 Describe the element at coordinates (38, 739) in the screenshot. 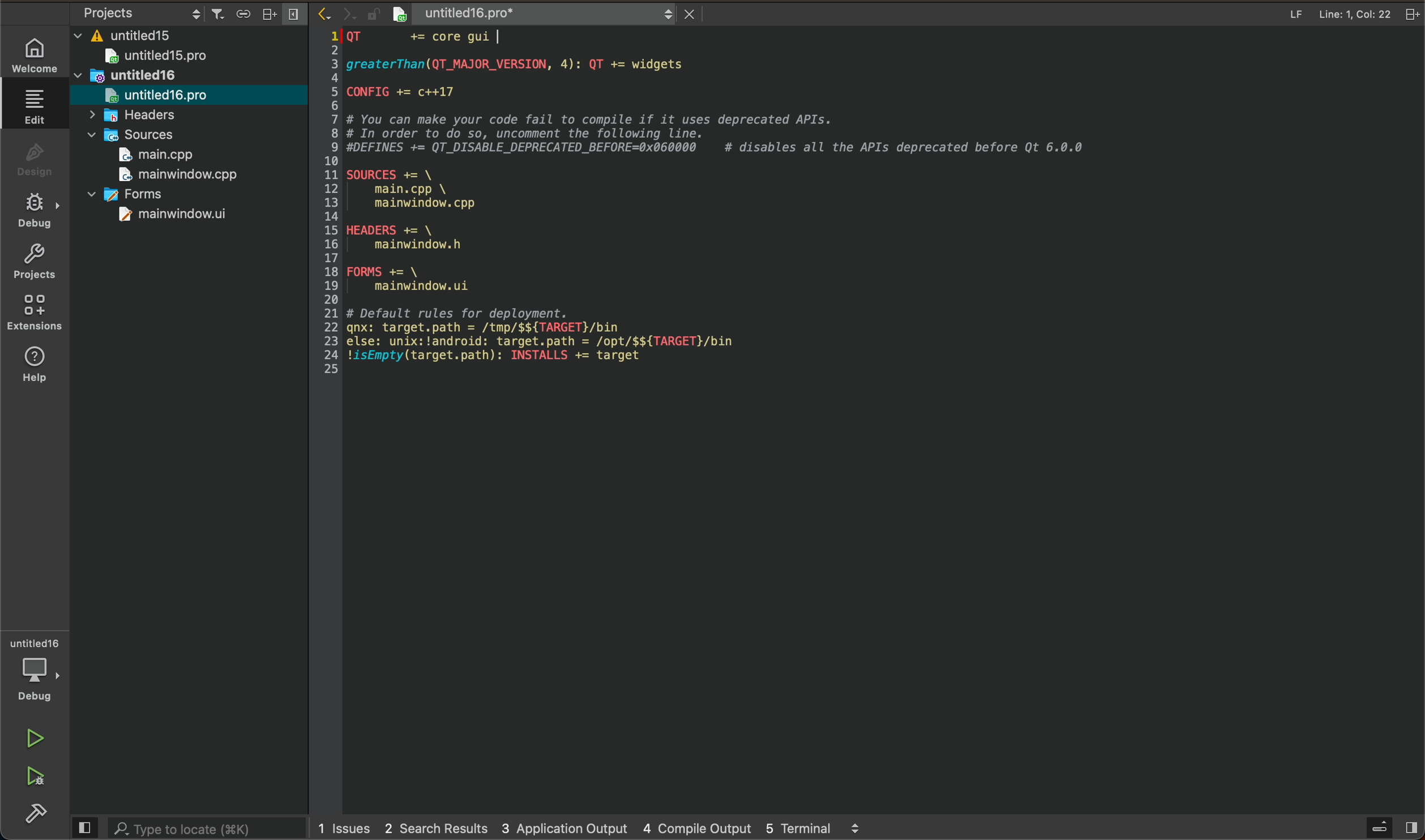

I see `run ` at that location.